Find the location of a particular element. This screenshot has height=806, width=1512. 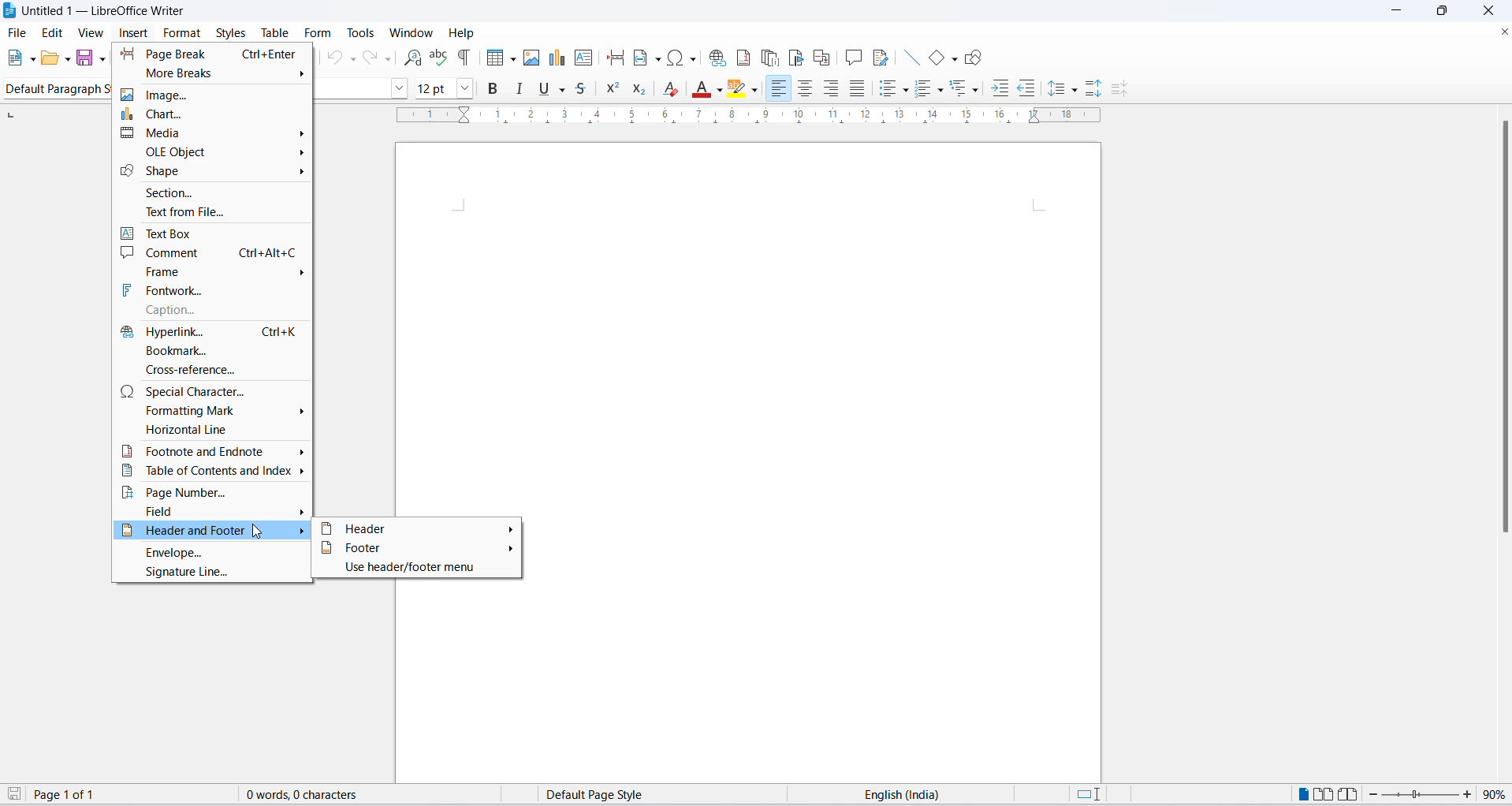

page number is located at coordinates (212, 492).